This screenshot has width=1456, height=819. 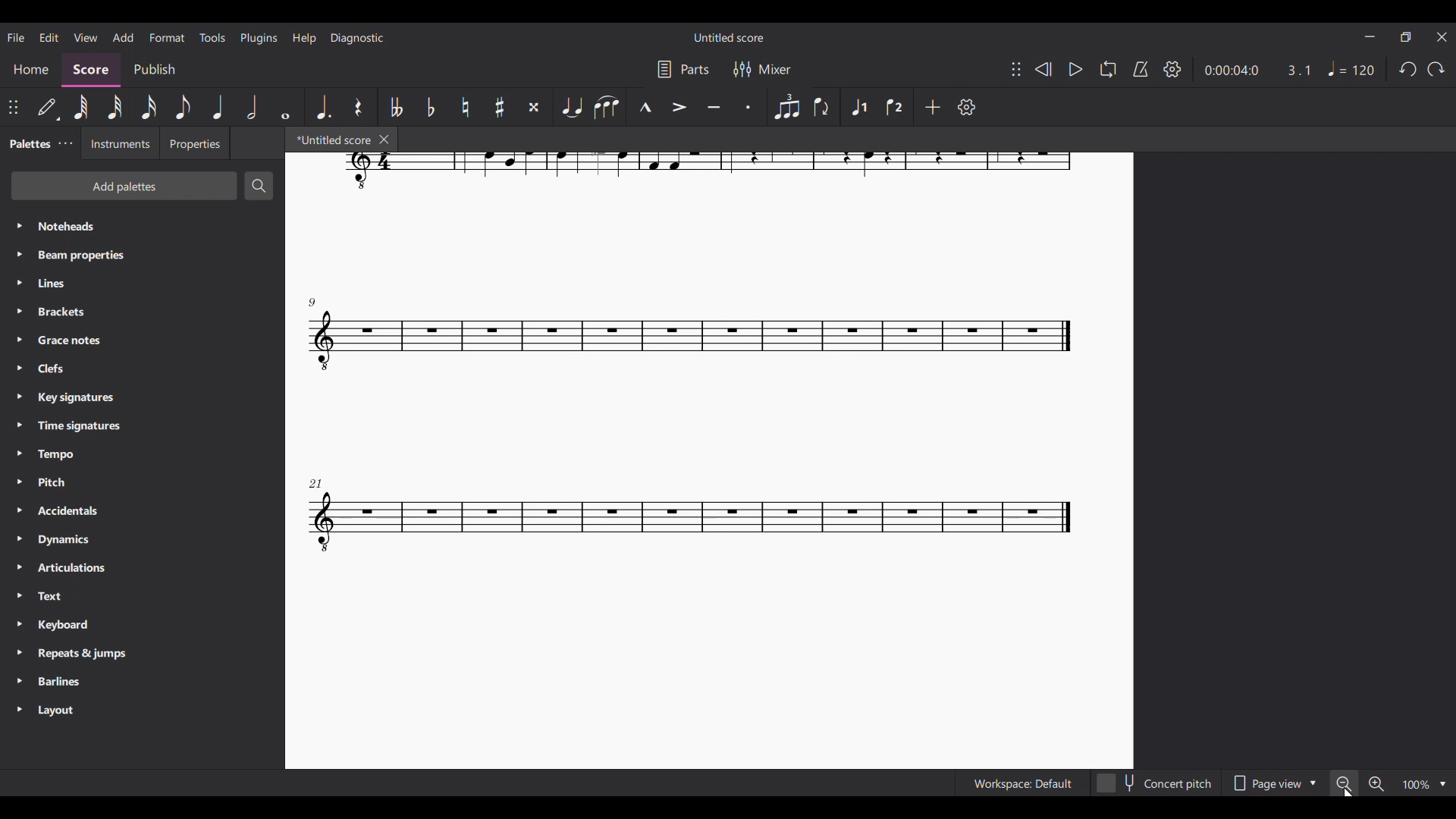 What do you see at coordinates (571, 107) in the screenshot?
I see `Tie` at bounding box center [571, 107].